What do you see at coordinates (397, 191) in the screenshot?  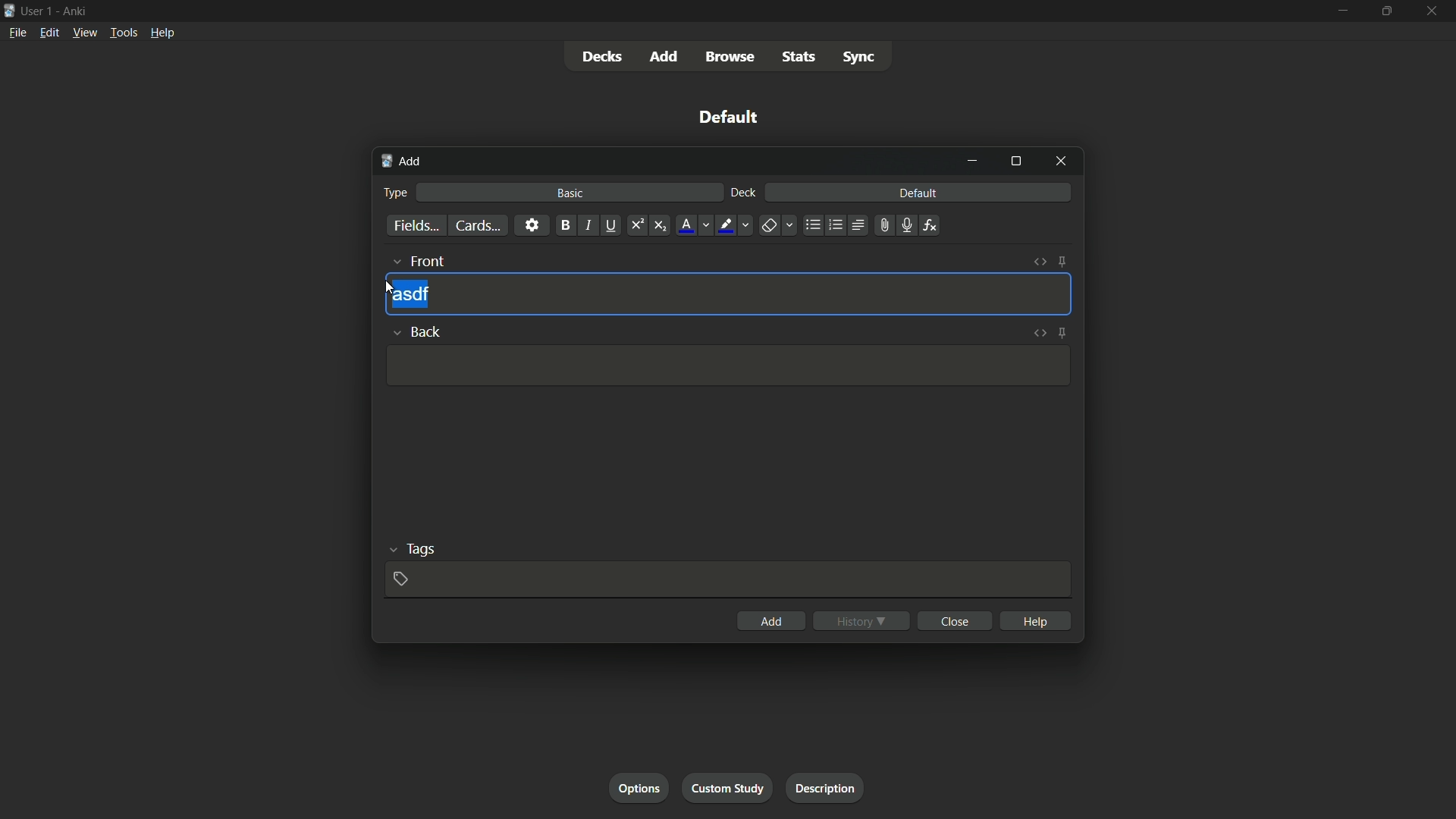 I see `type` at bounding box center [397, 191].